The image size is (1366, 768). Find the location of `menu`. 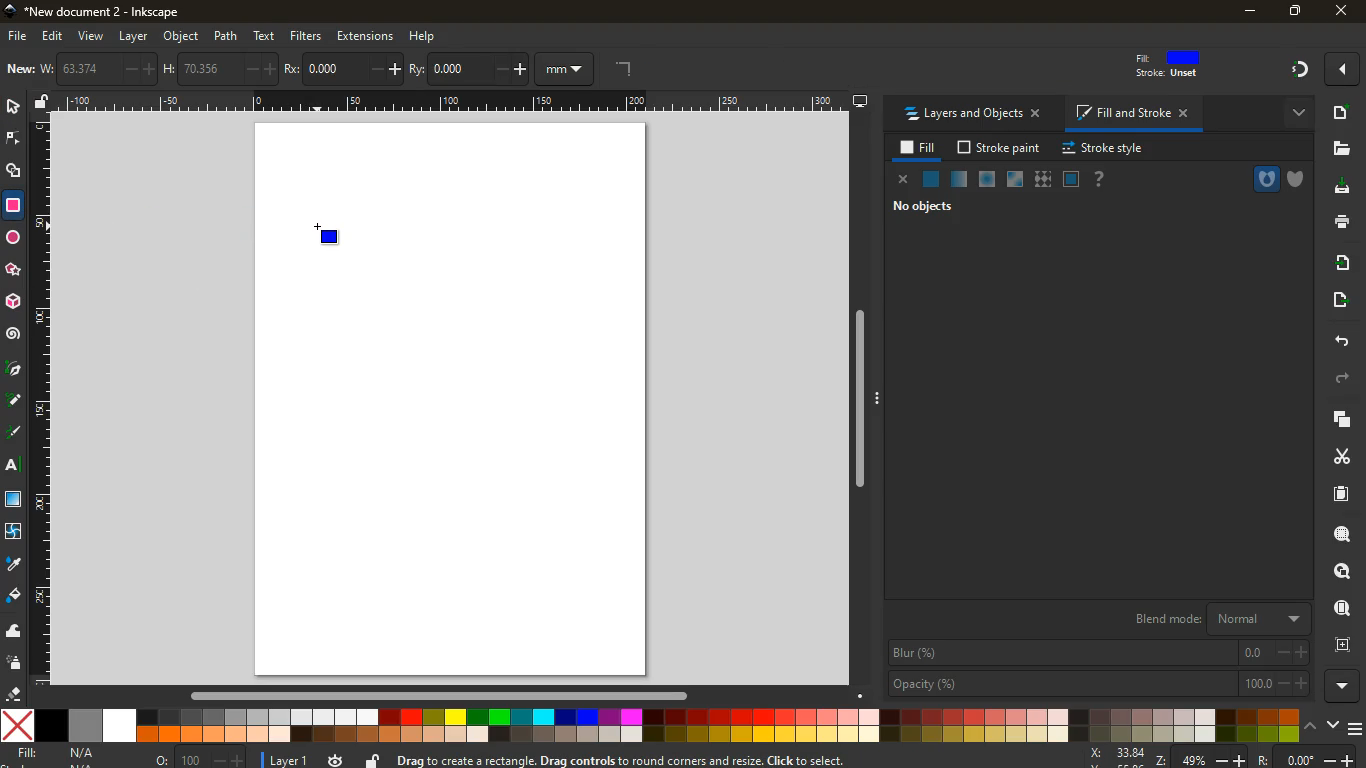

menu is located at coordinates (1354, 729).